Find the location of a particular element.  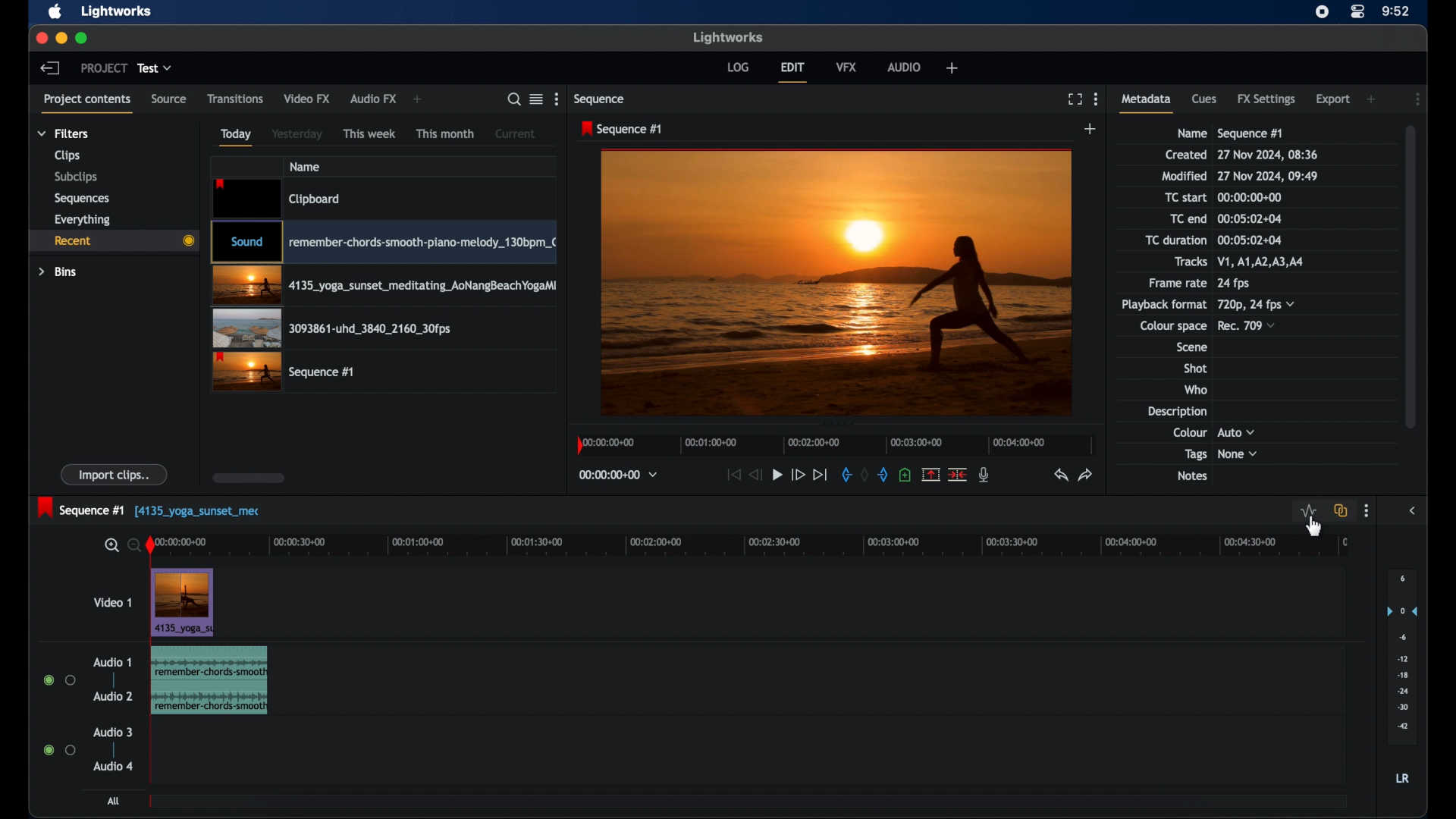

add a cue at the current position is located at coordinates (905, 475).